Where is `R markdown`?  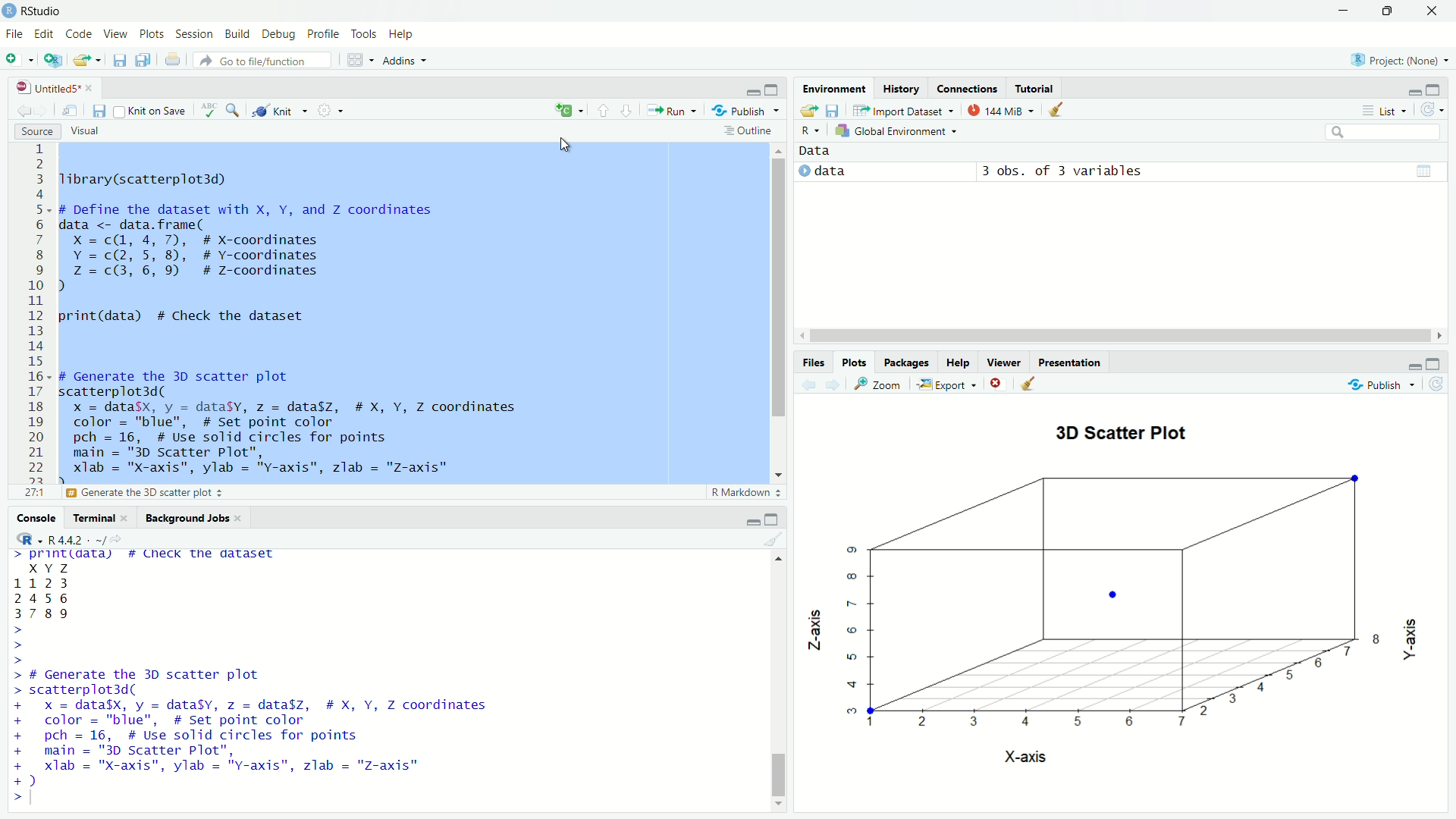 R markdown is located at coordinates (746, 493).